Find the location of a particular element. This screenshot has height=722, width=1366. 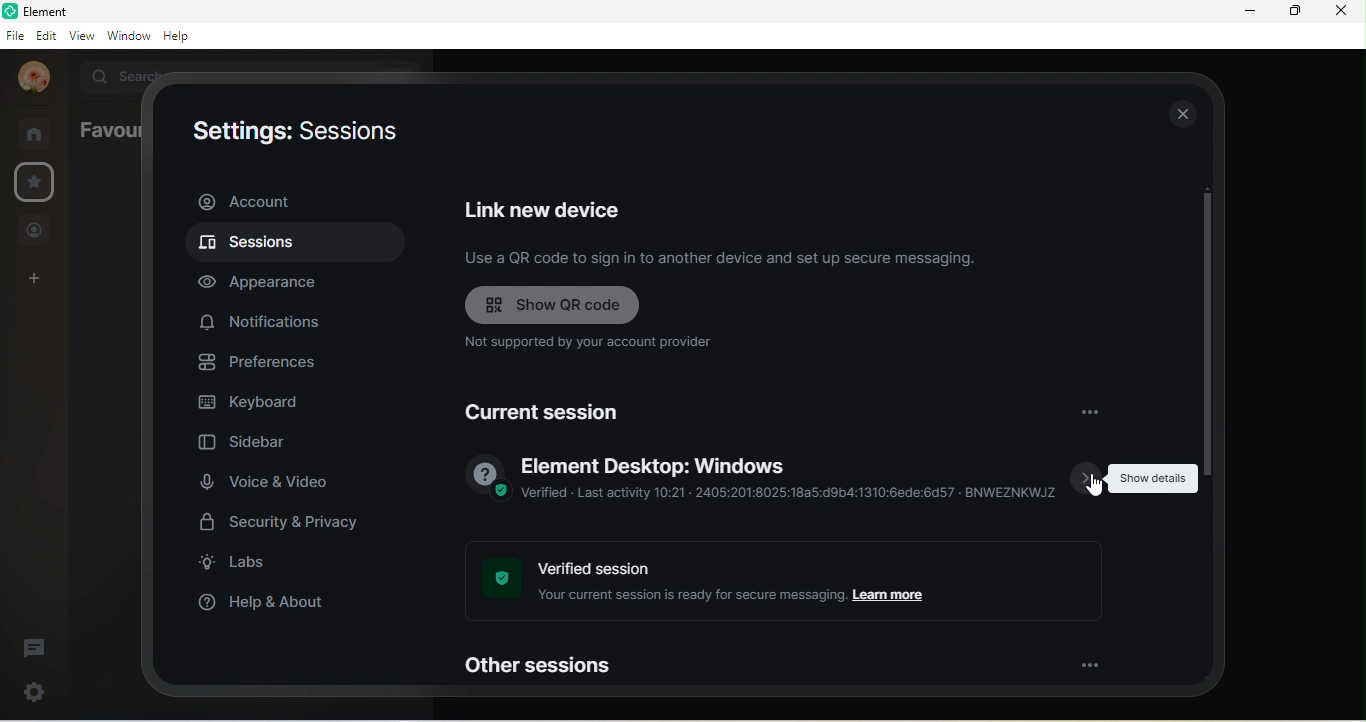

your current session is ready for secure messaging is located at coordinates (690, 596).